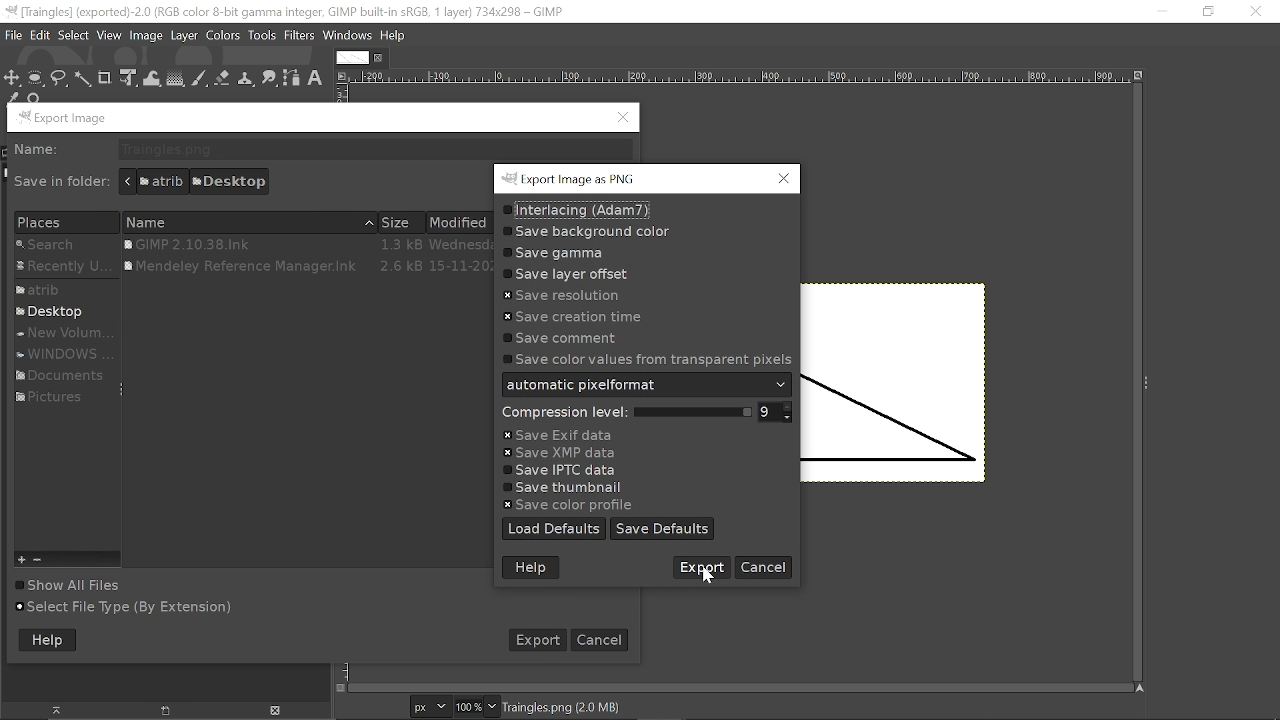 This screenshot has width=1280, height=720. I want to click on Save gamma, so click(554, 253).